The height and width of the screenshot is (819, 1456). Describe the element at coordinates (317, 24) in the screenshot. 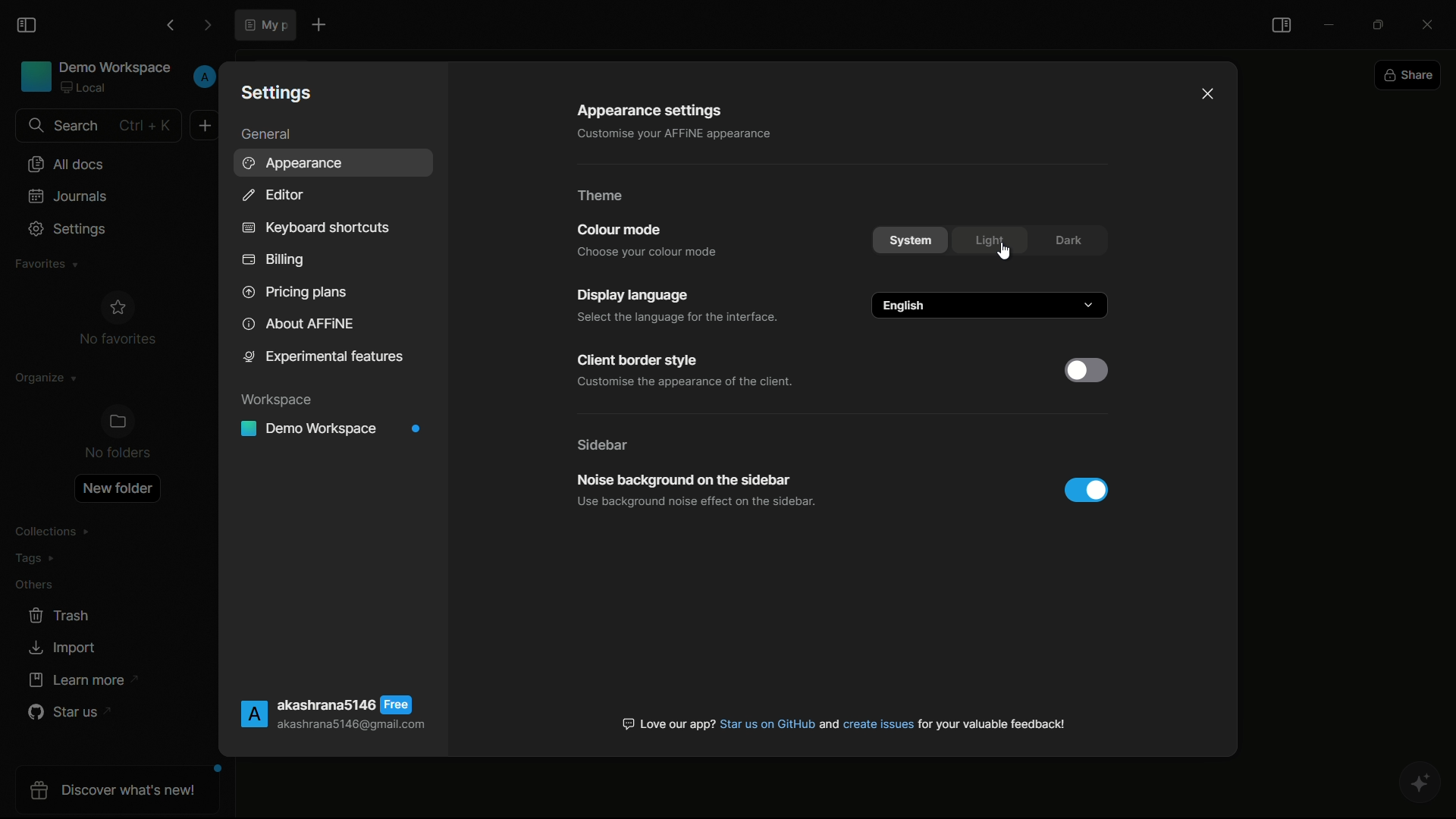

I see `new document` at that location.